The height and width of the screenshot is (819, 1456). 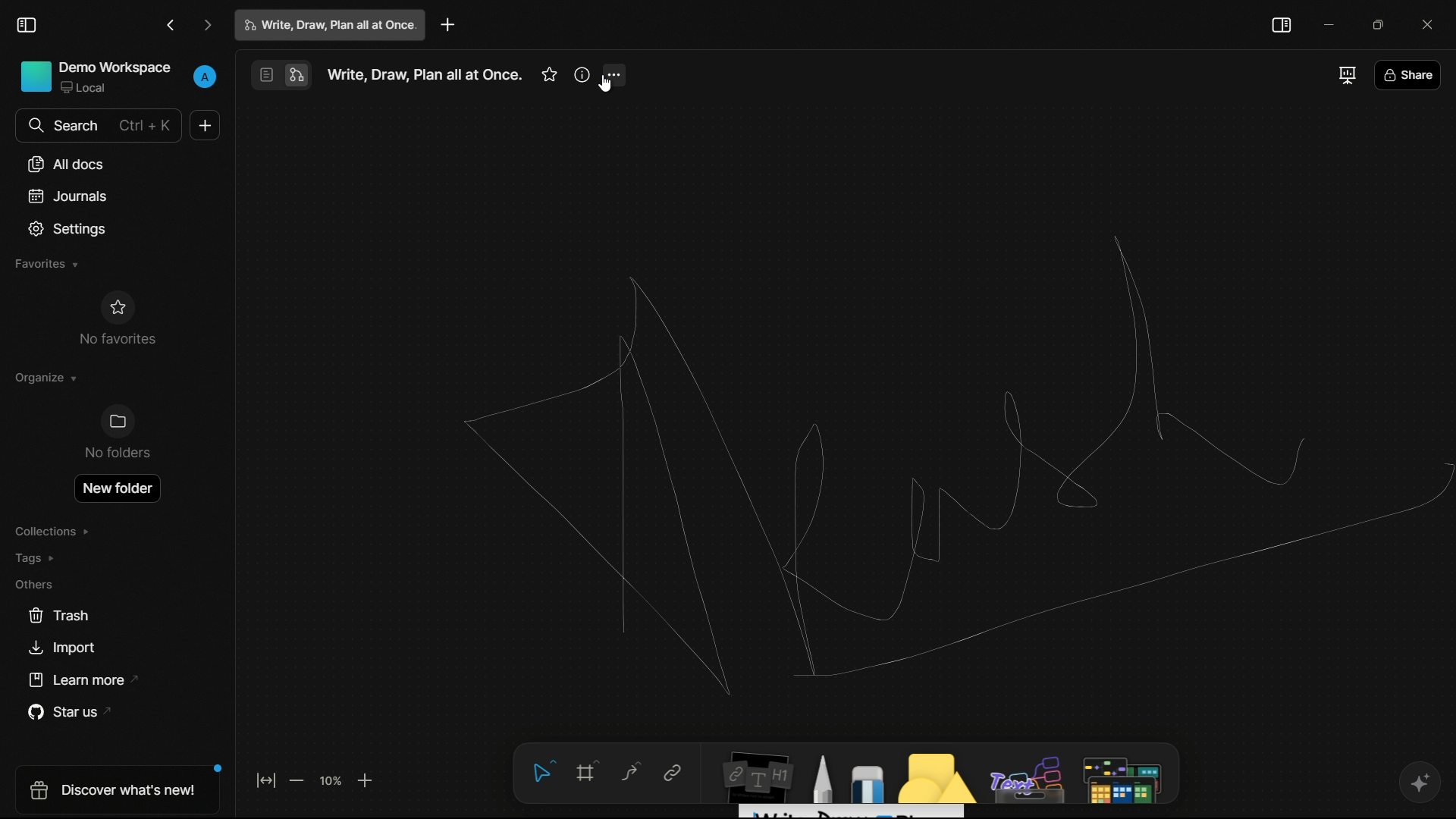 What do you see at coordinates (39, 559) in the screenshot?
I see `tags` at bounding box center [39, 559].